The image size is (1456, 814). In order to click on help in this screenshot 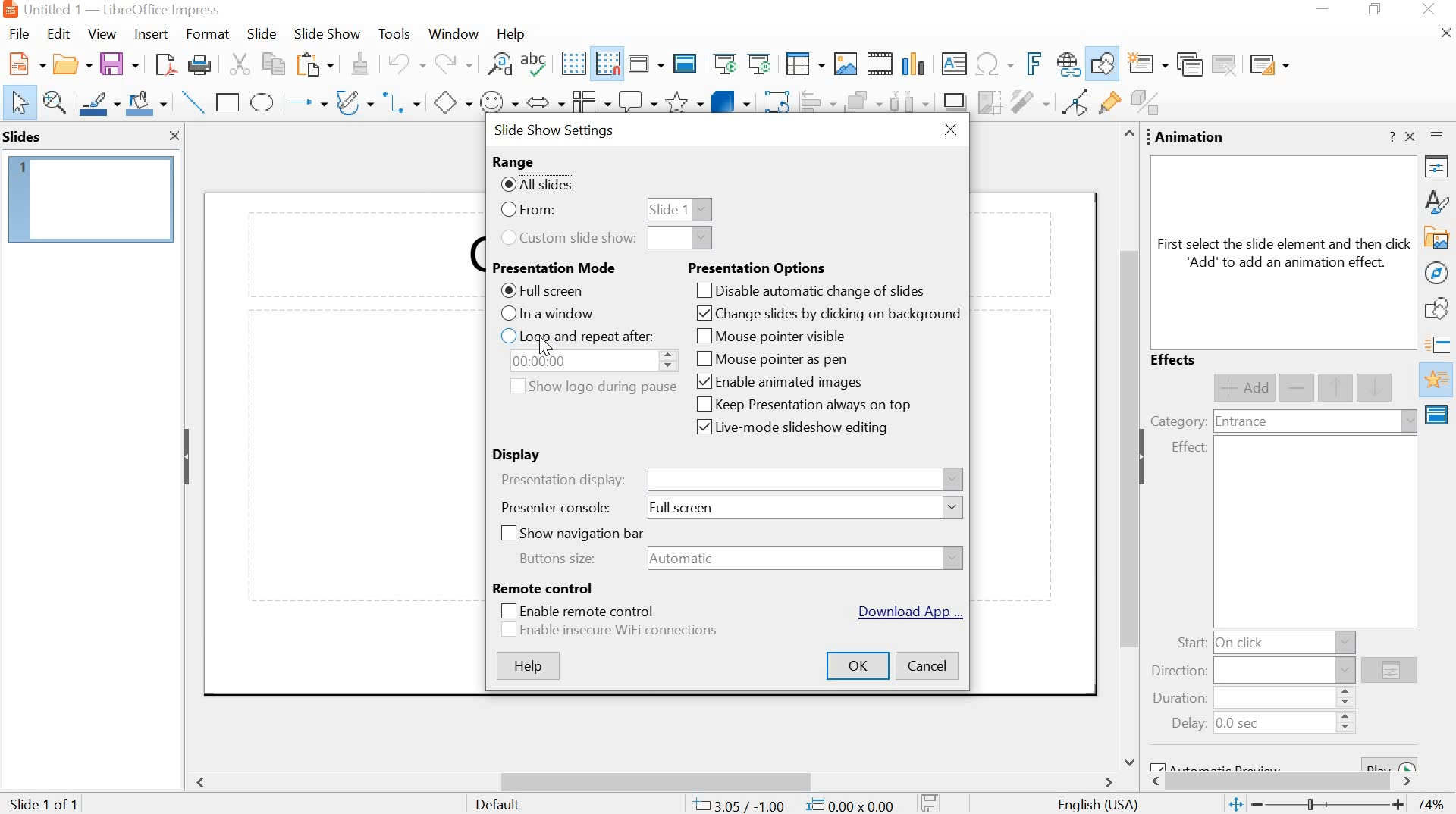, I will do `click(527, 667)`.